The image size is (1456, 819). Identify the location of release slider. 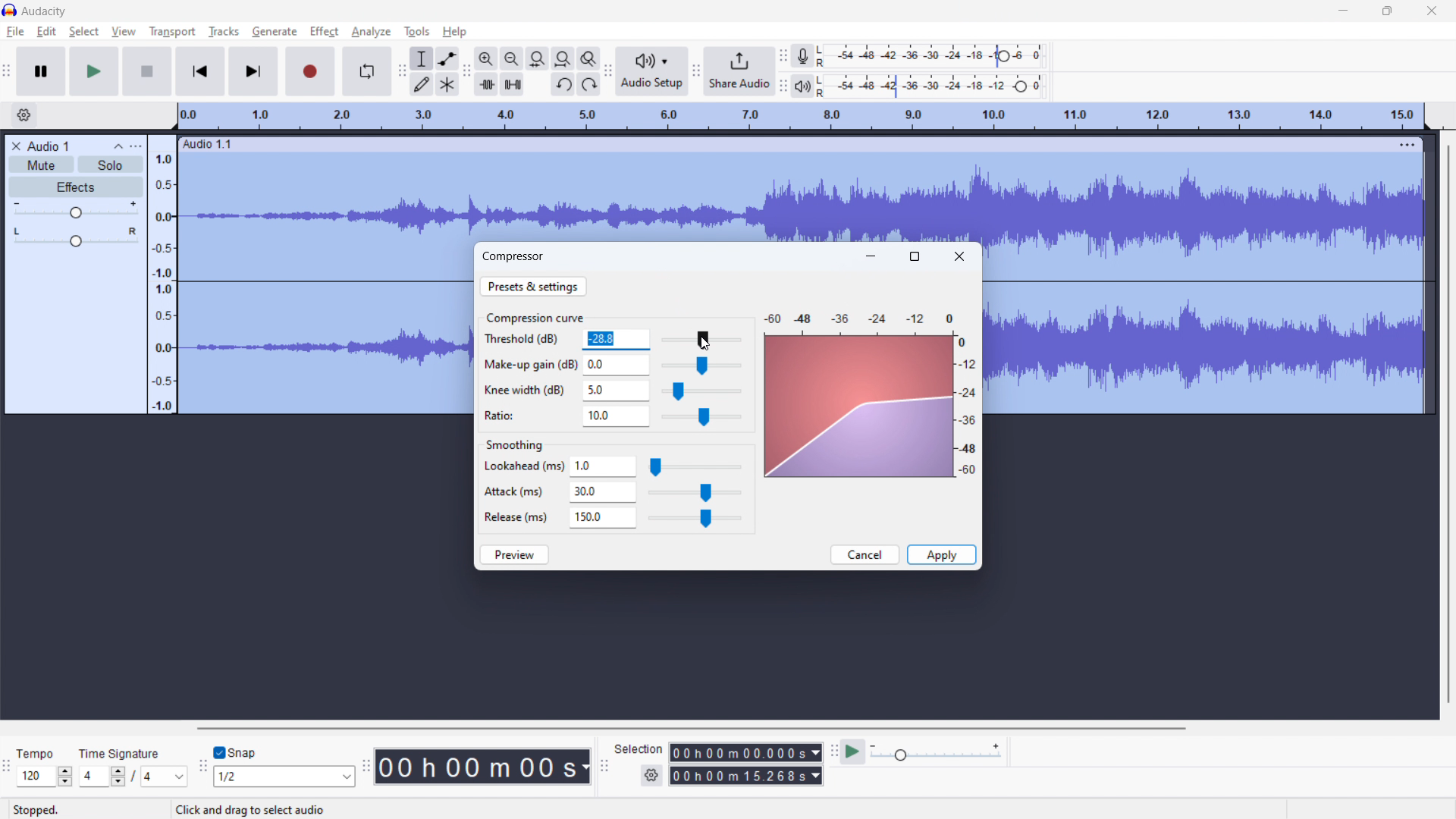
(694, 519).